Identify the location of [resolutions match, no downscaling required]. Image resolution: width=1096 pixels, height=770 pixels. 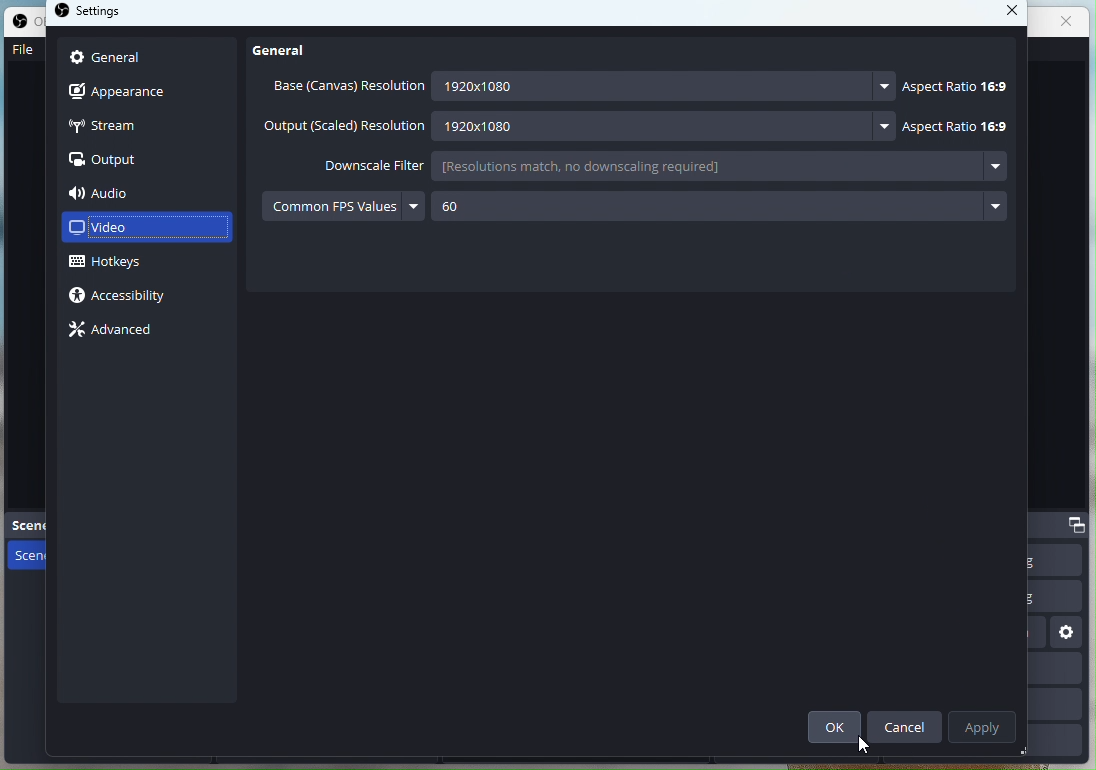
(646, 165).